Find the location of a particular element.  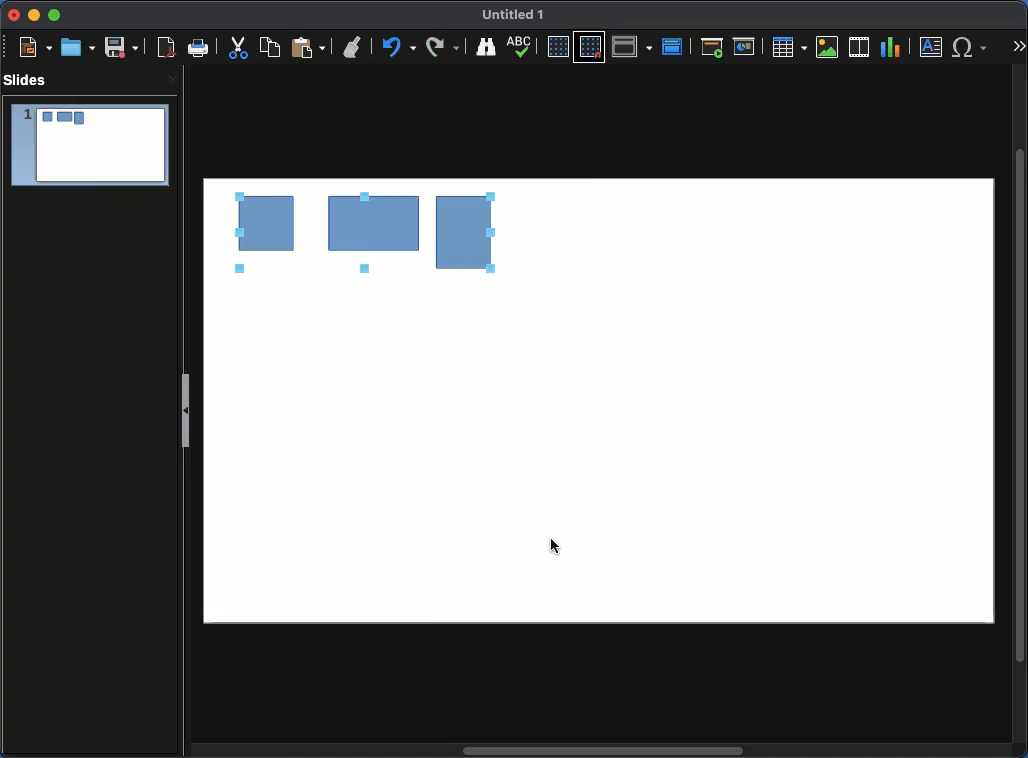

Grouped items is located at coordinates (363, 235).